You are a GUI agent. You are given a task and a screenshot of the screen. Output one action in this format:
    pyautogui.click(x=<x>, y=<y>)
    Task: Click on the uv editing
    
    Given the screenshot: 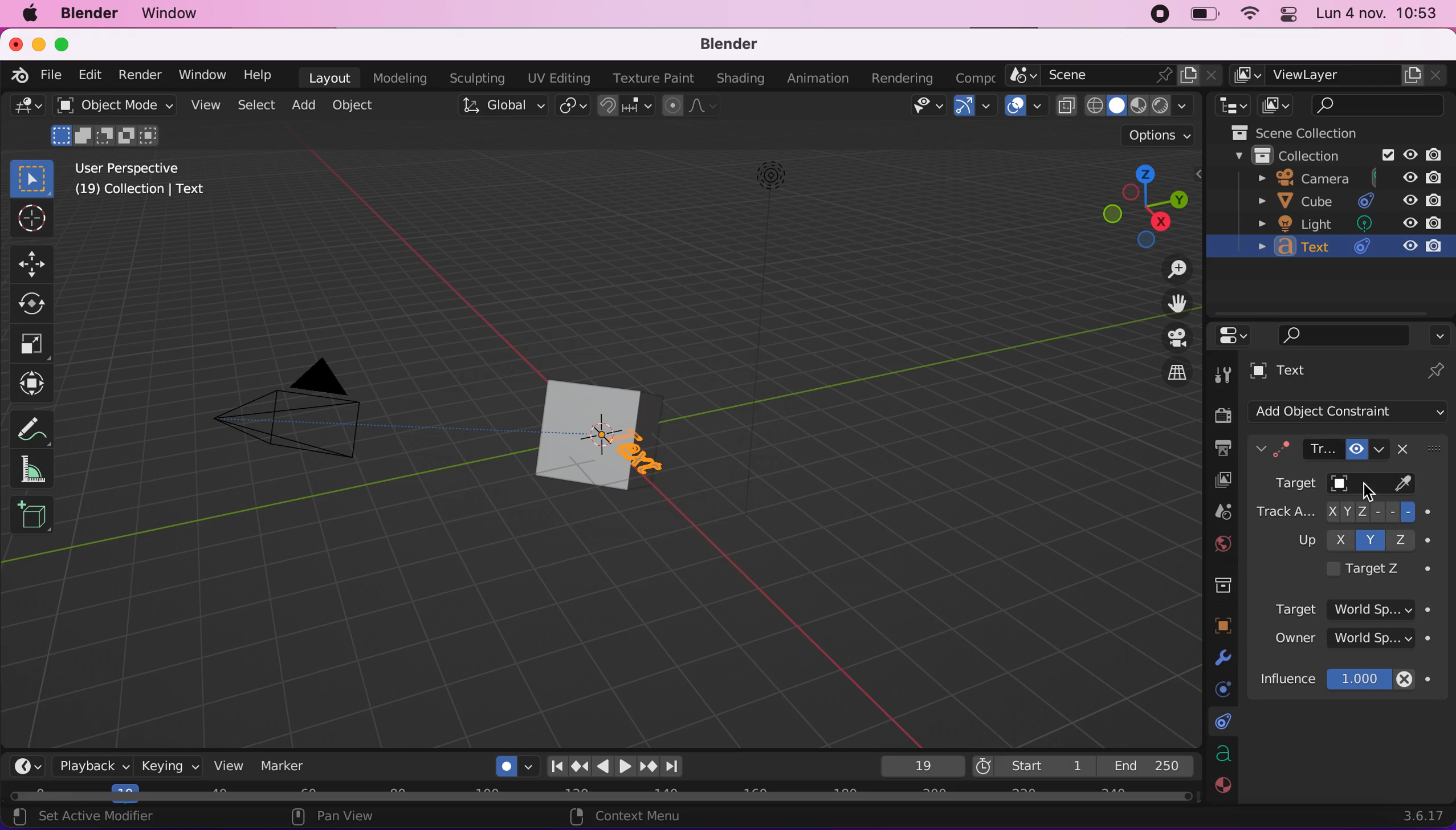 What is the action you would take?
    pyautogui.click(x=561, y=76)
    